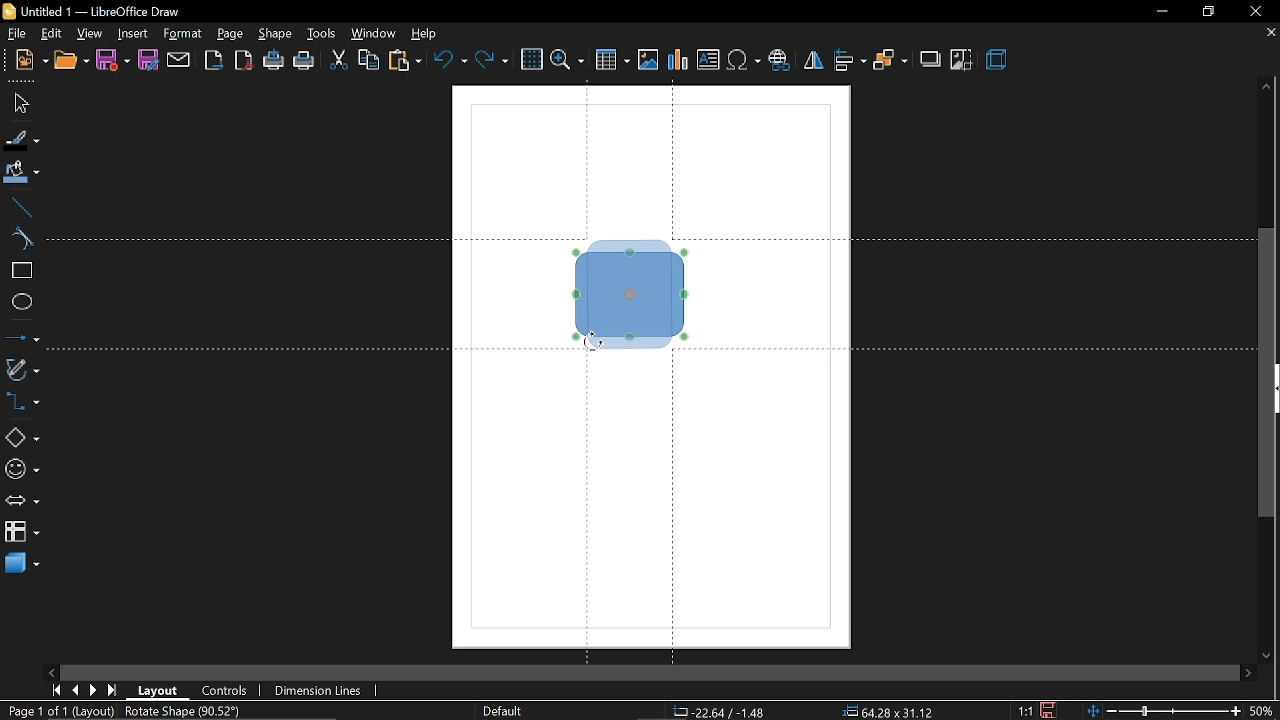 The width and height of the screenshot is (1280, 720). What do you see at coordinates (93, 11) in the screenshot?
I see `current window` at bounding box center [93, 11].